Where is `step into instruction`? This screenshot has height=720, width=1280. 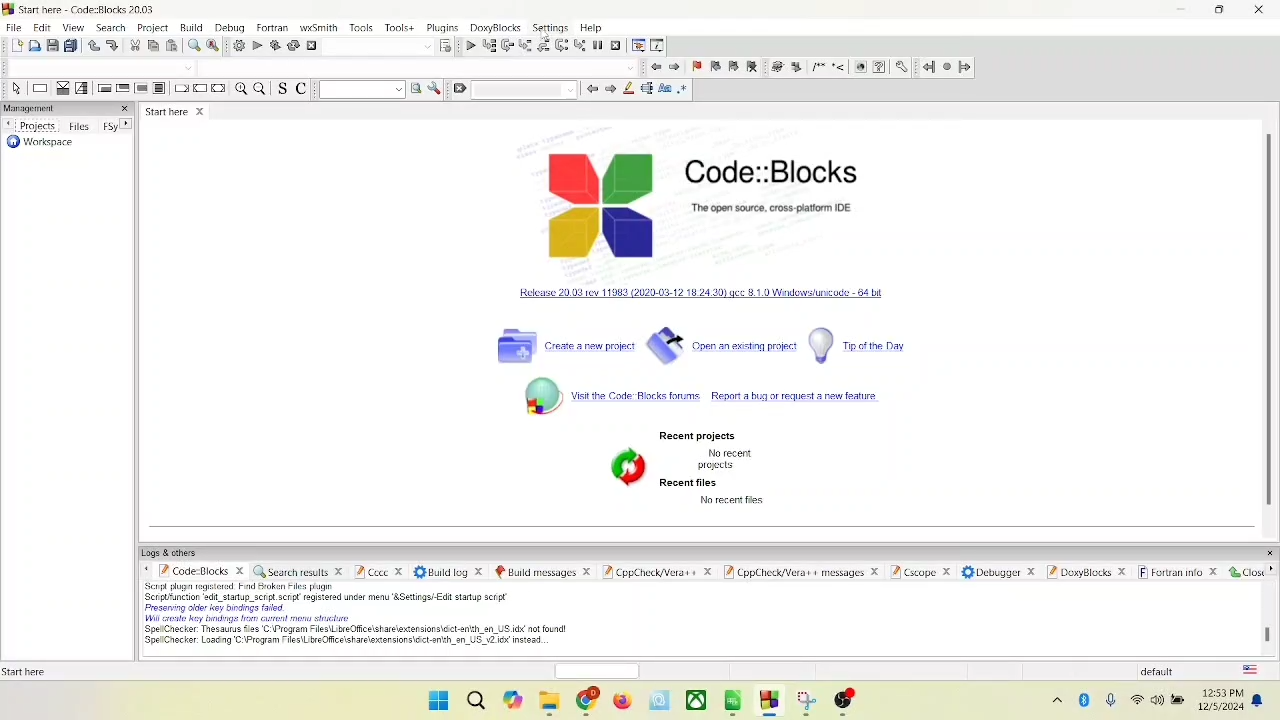 step into instruction is located at coordinates (580, 45).